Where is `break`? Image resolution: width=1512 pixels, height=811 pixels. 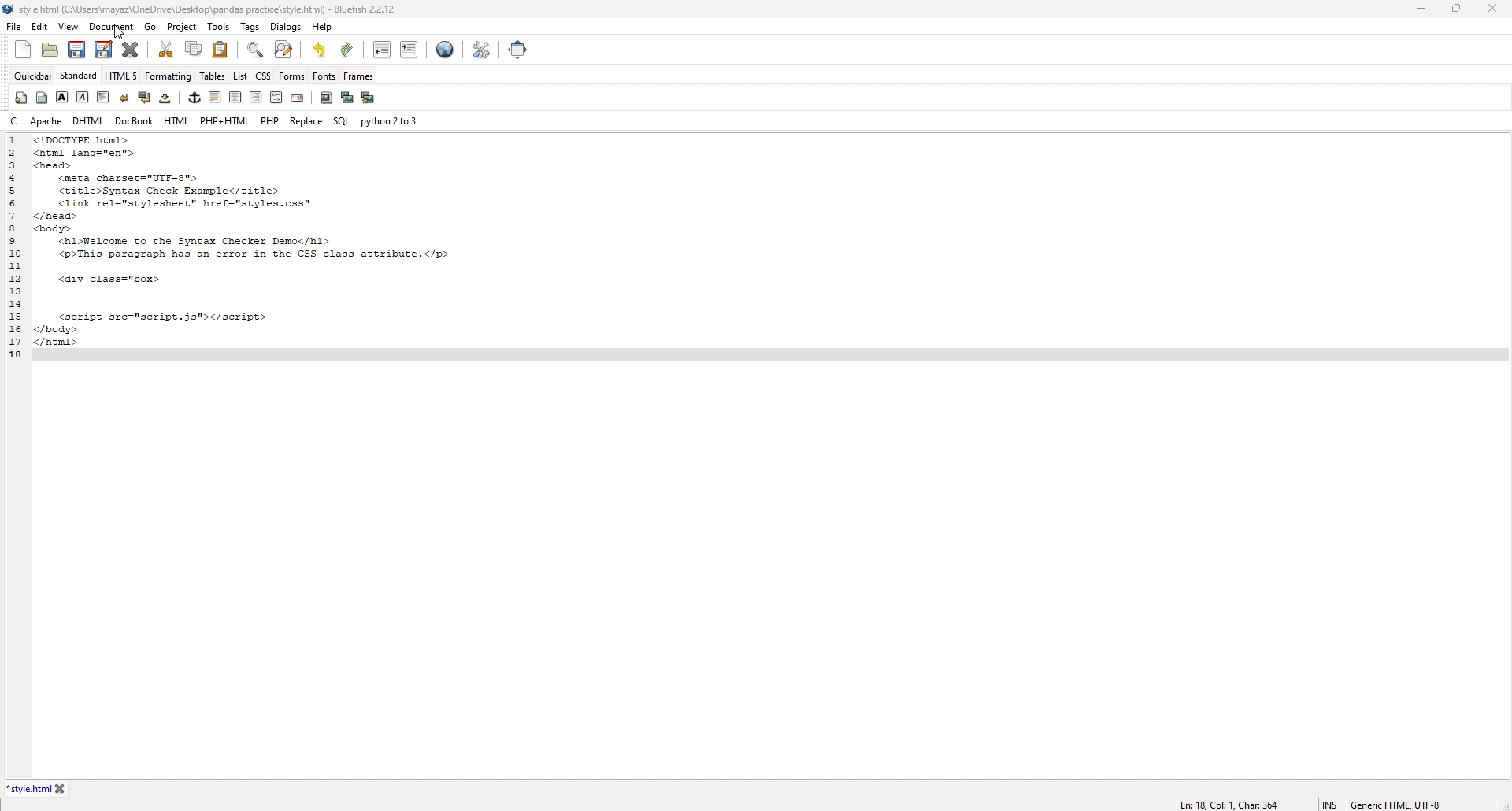 break is located at coordinates (124, 98).